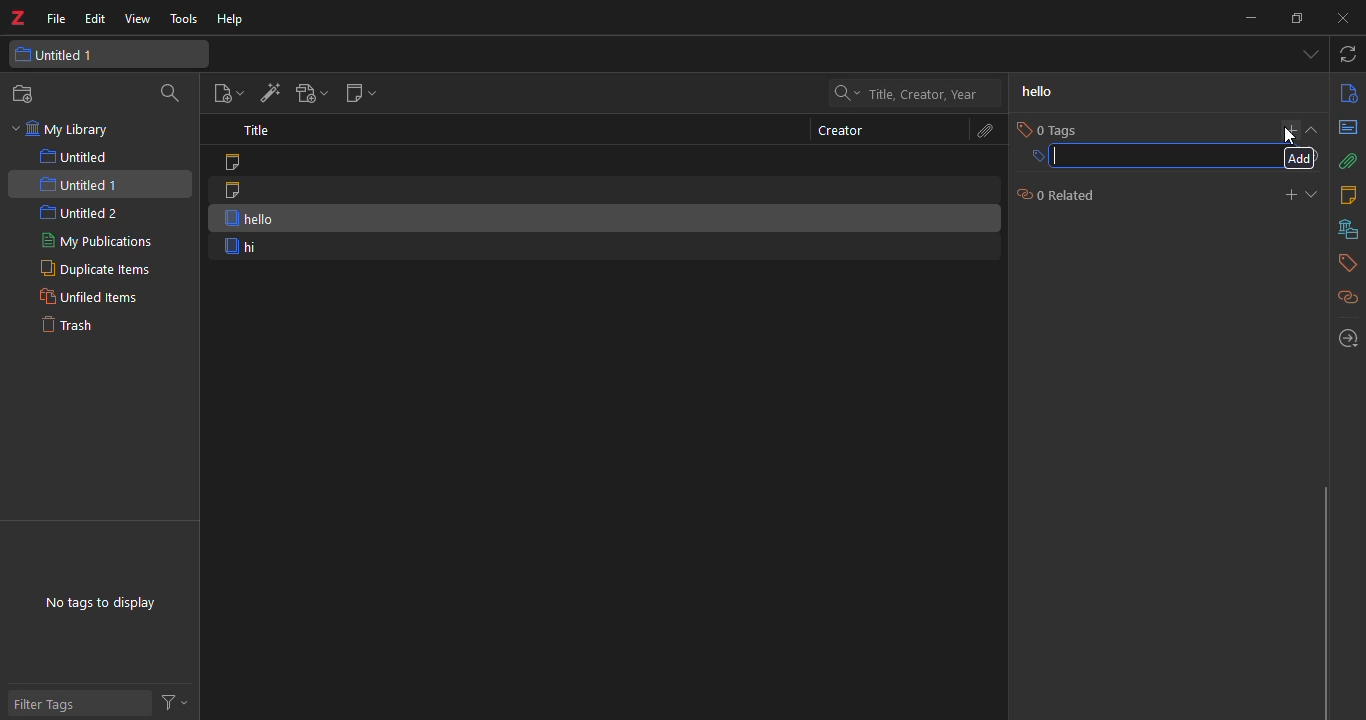 The height and width of the screenshot is (720, 1366). Describe the element at coordinates (1291, 134) in the screenshot. I see `cursor` at that location.